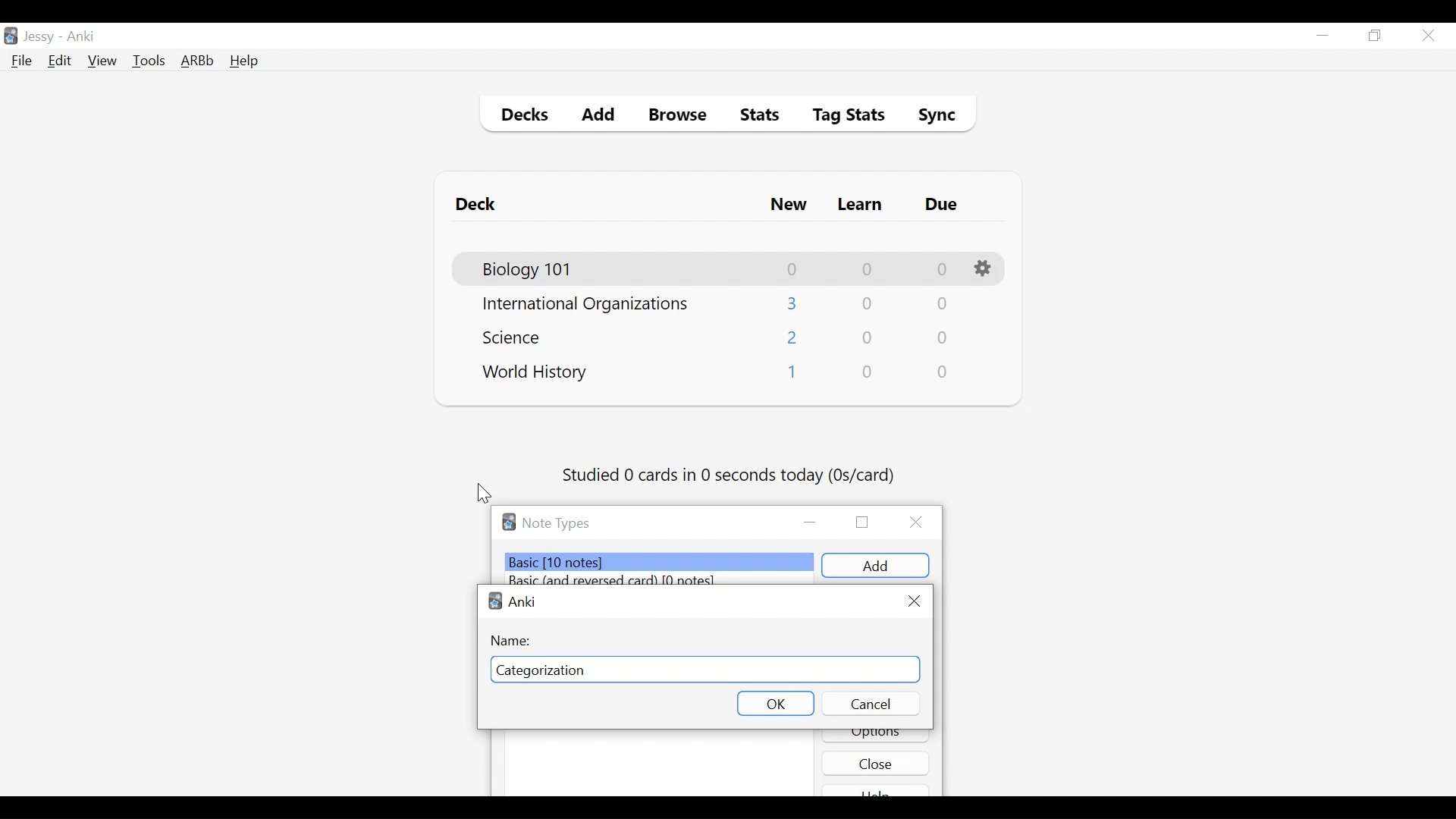 The height and width of the screenshot is (819, 1456). Describe the element at coordinates (485, 494) in the screenshot. I see `Cursor` at that location.